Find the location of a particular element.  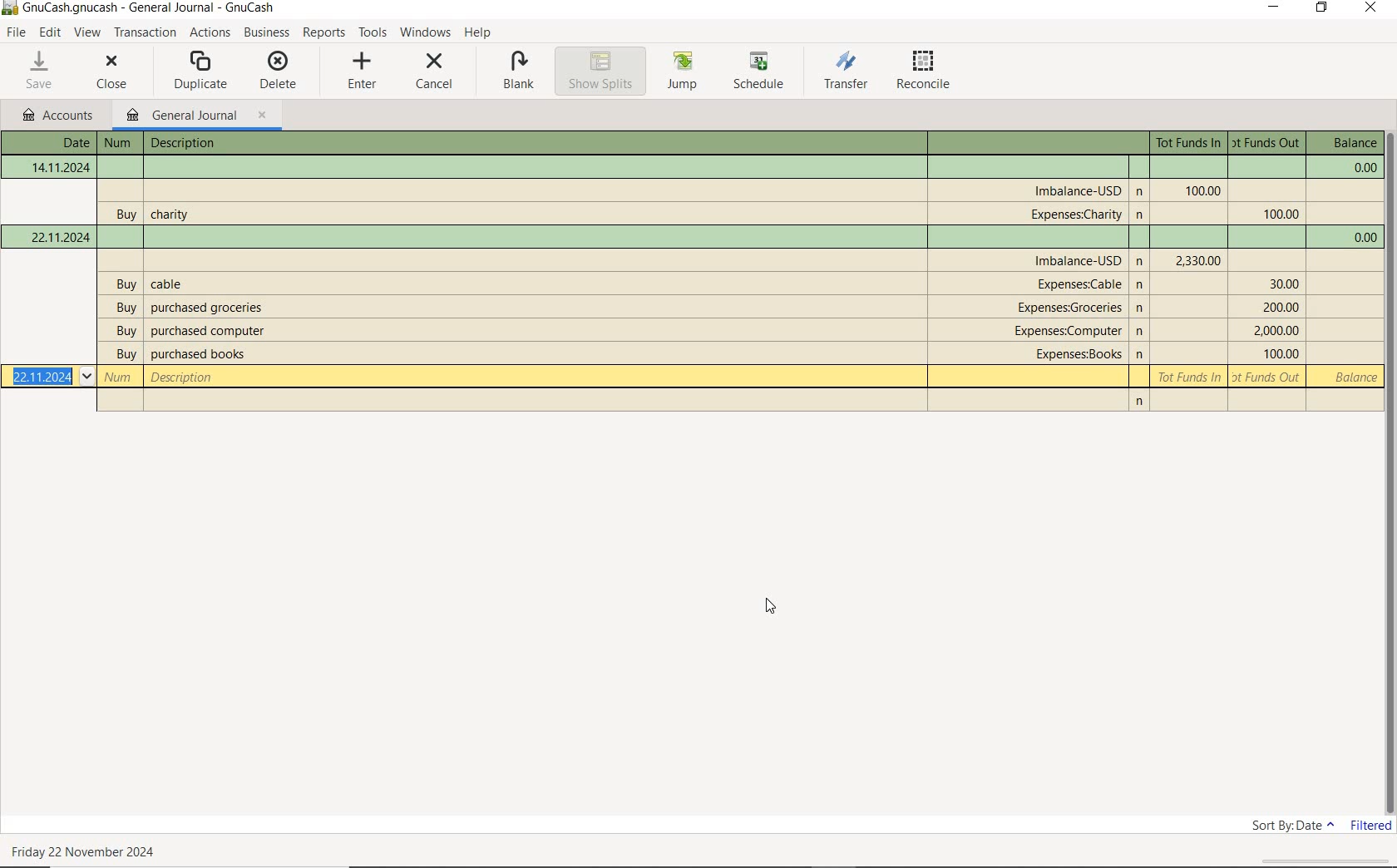

account is located at coordinates (1072, 308).